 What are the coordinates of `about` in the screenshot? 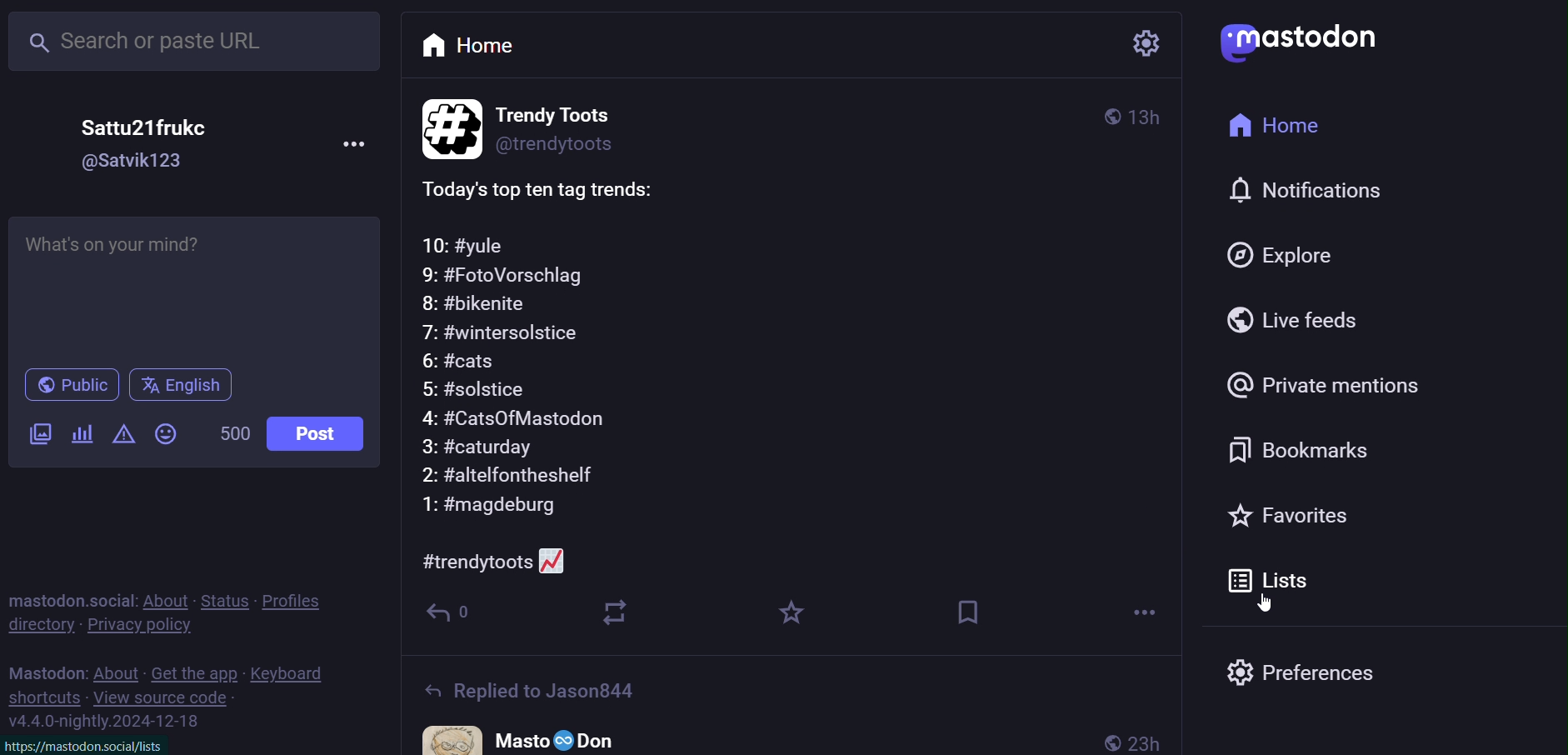 It's located at (115, 671).